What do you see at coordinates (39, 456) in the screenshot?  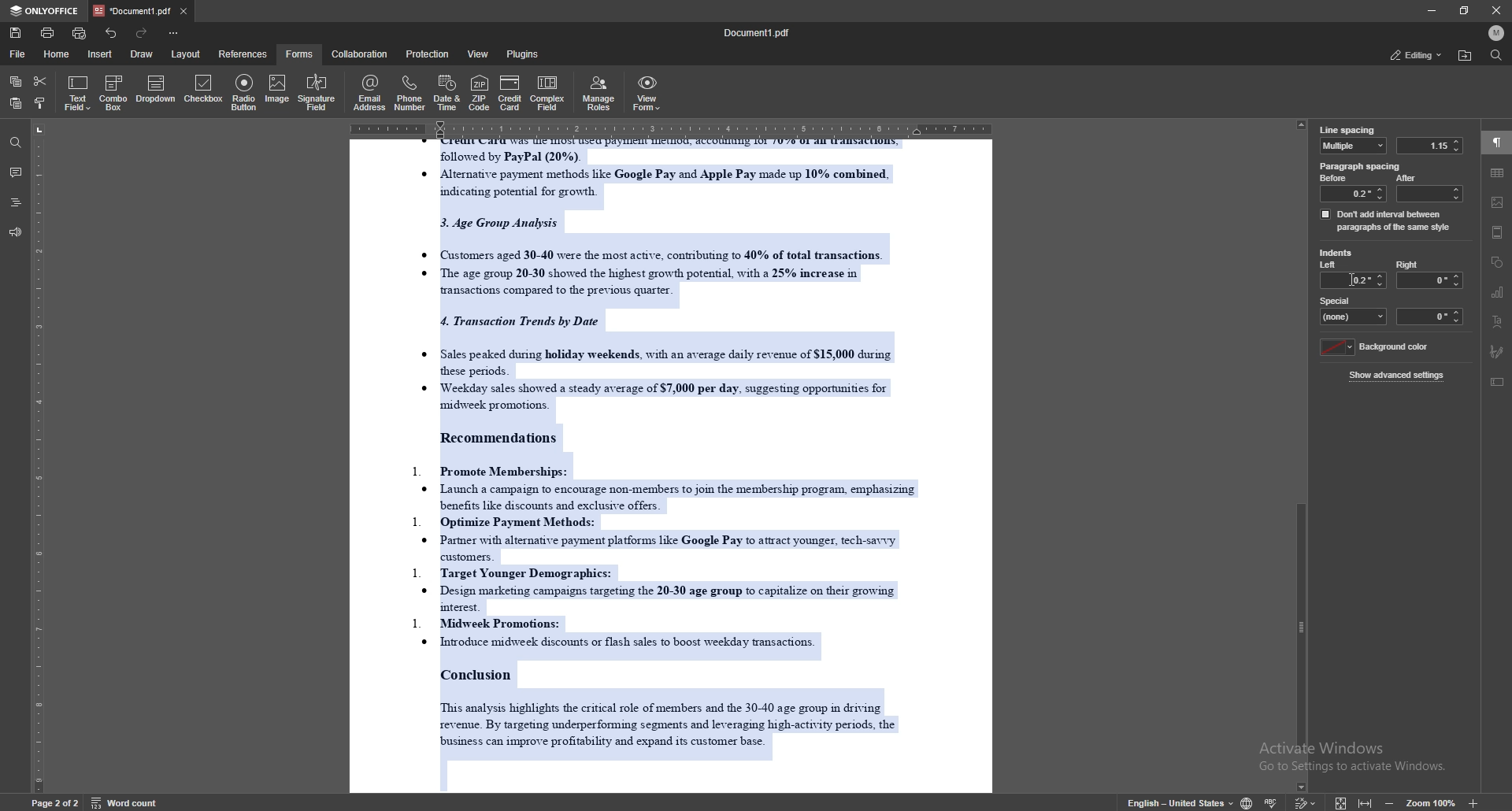 I see `vertical scale` at bounding box center [39, 456].